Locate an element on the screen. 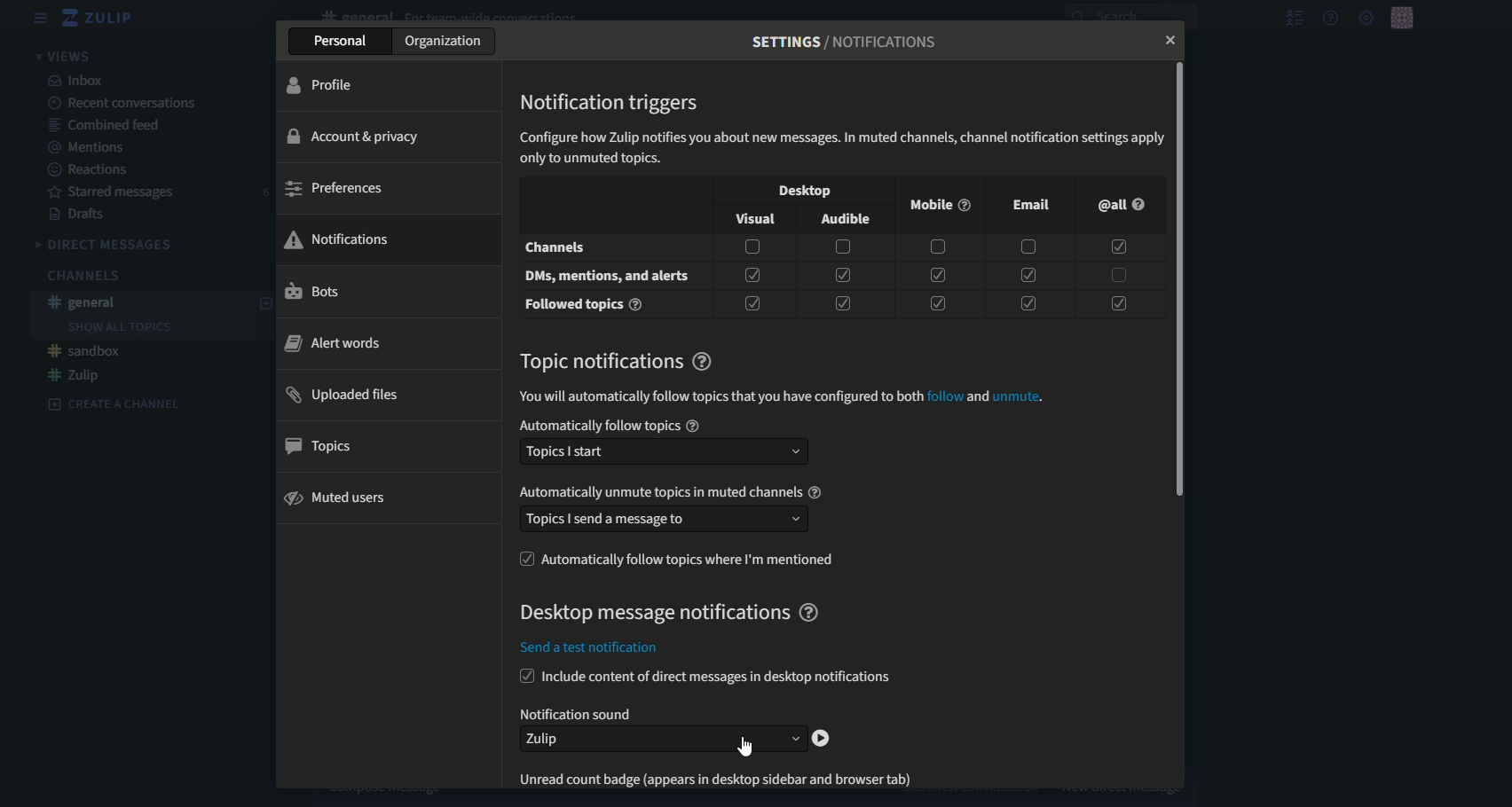  visual is located at coordinates (753, 218).